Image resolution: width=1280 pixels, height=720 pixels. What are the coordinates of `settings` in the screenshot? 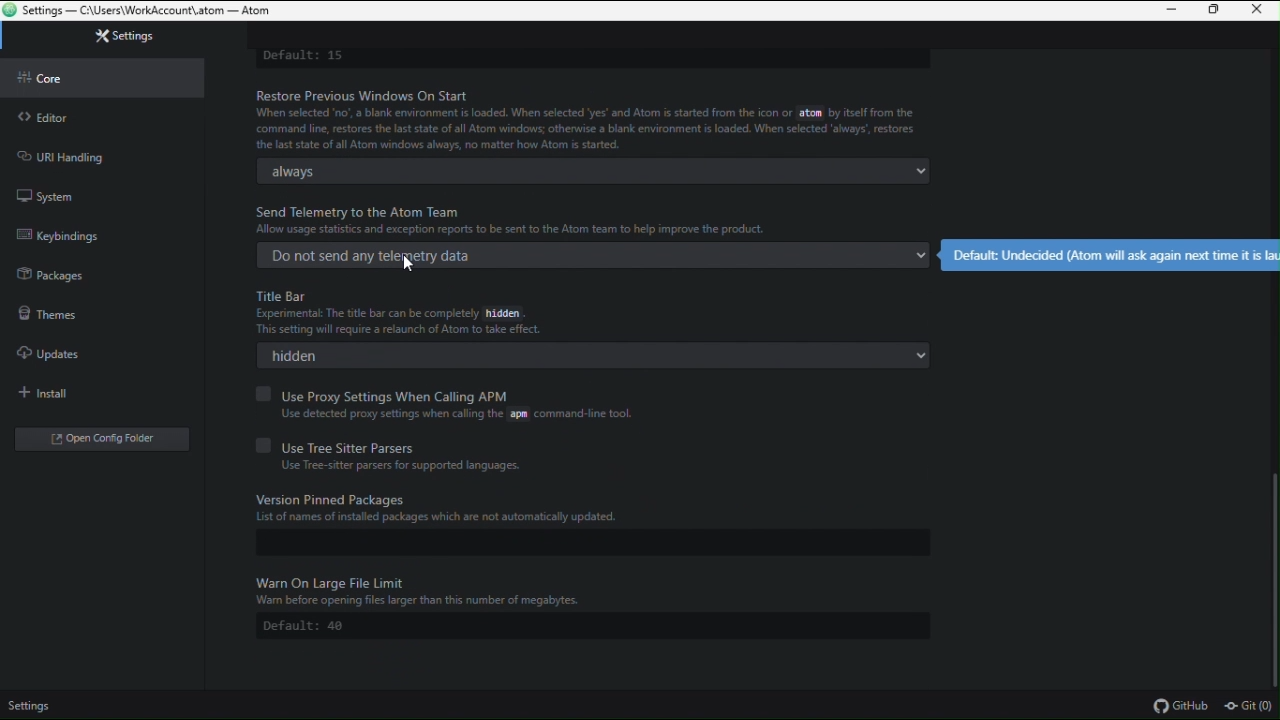 It's located at (36, 707).